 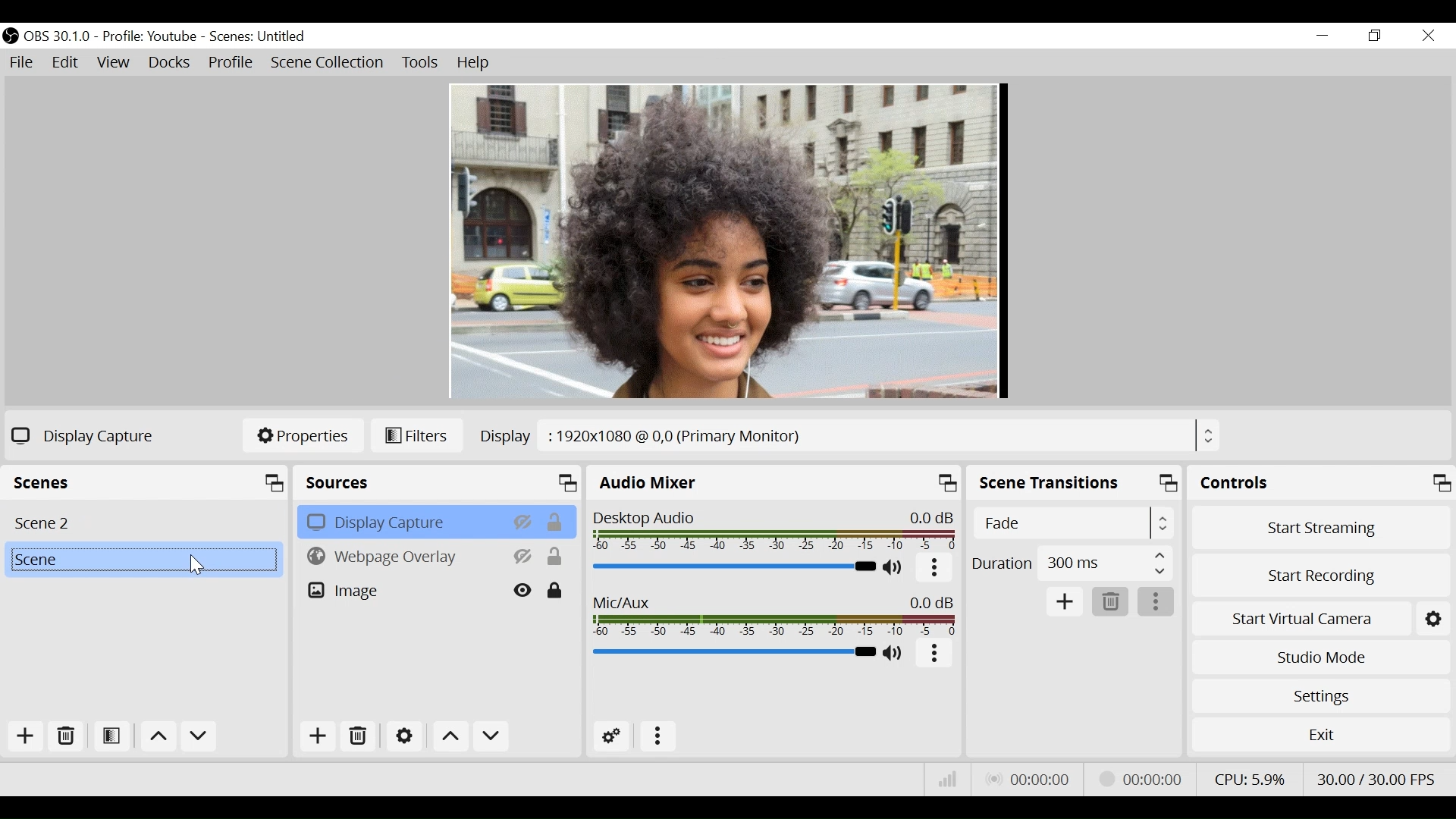 What do you see at coordinates (935, 653) in the screenshot?
I see `more options` at bounding box center [935, 653].